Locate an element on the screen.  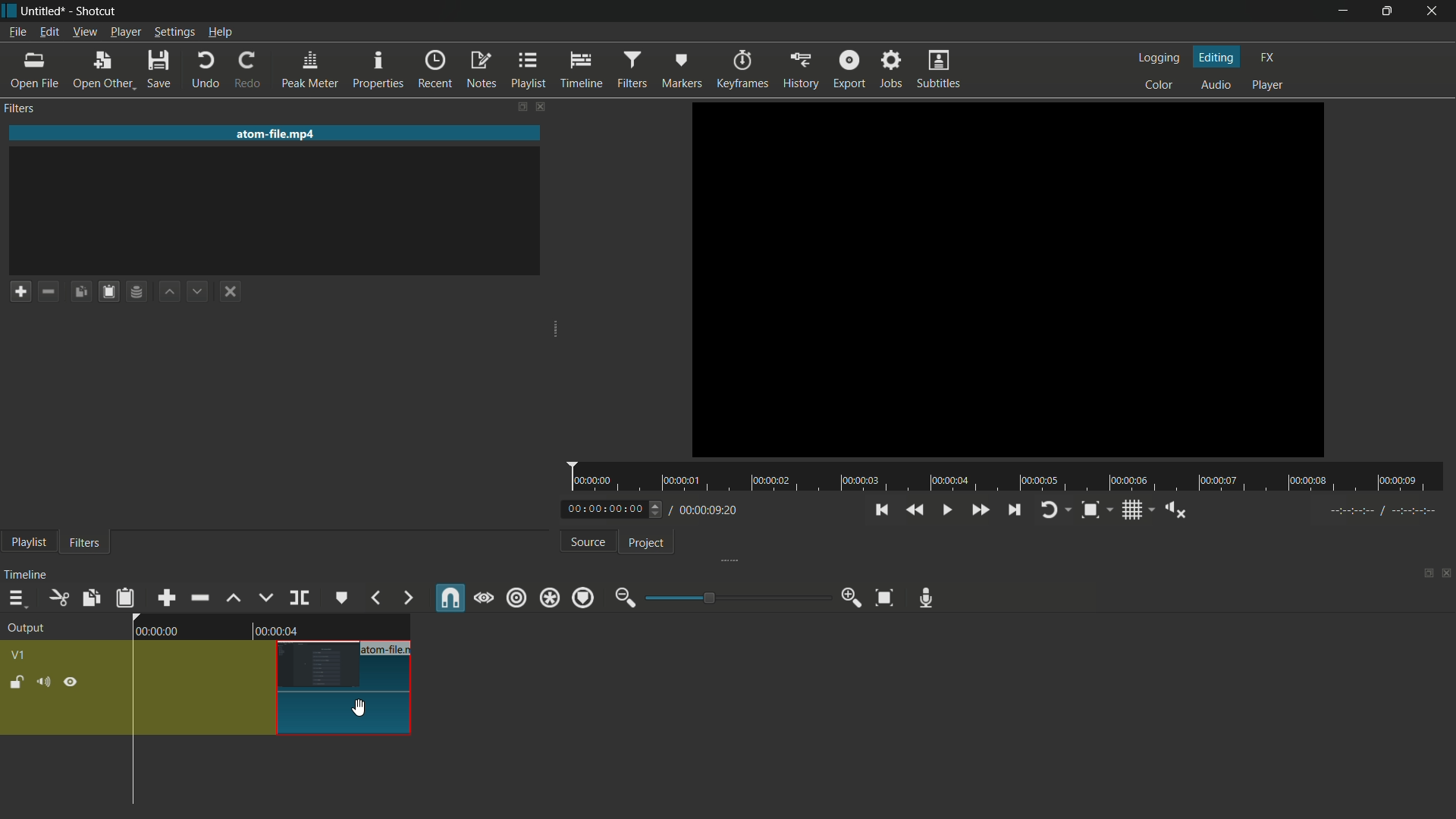
close filter pane is located at coordinates (543, 105).